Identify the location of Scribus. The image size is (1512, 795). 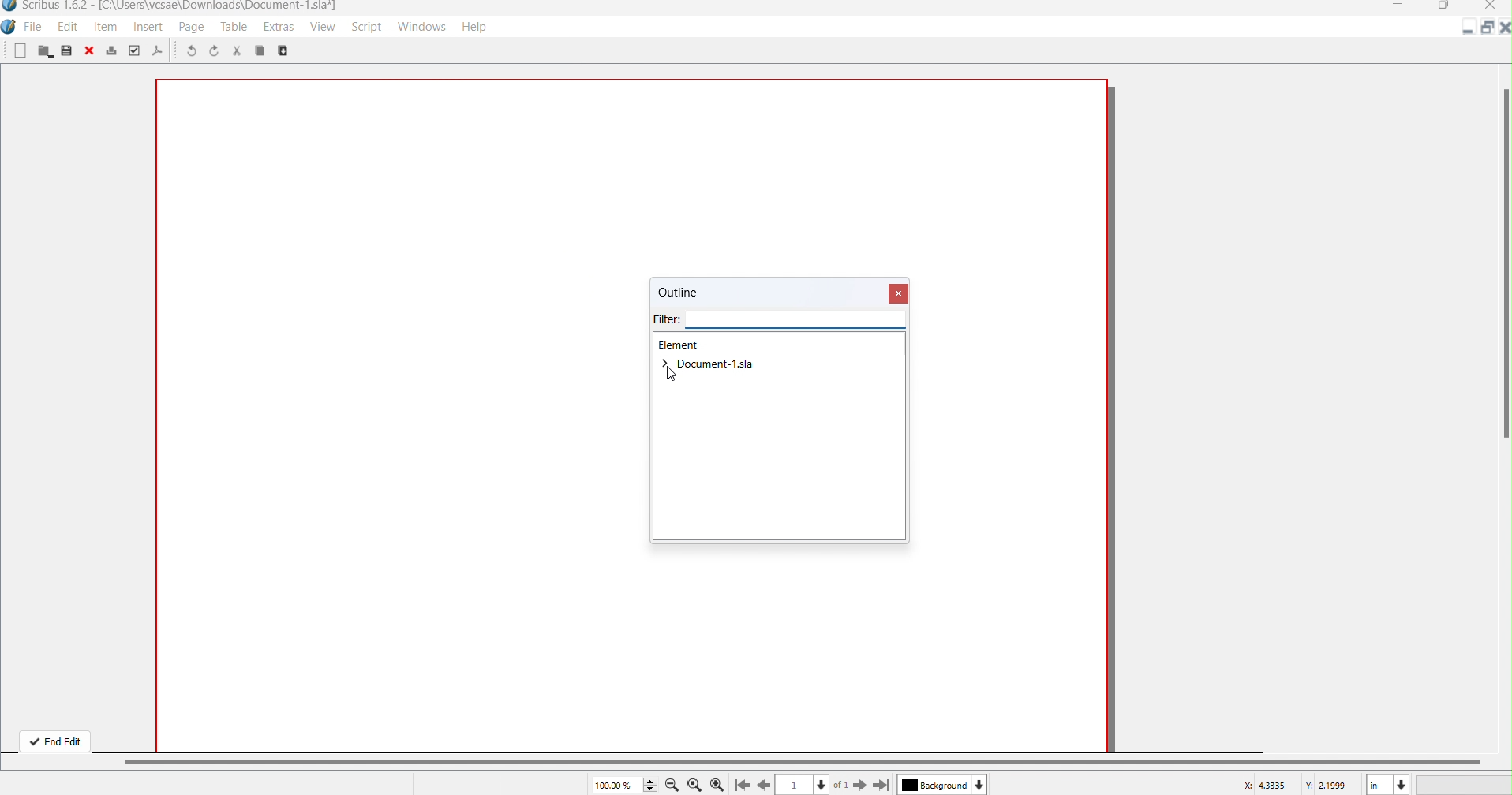
(9, 29).